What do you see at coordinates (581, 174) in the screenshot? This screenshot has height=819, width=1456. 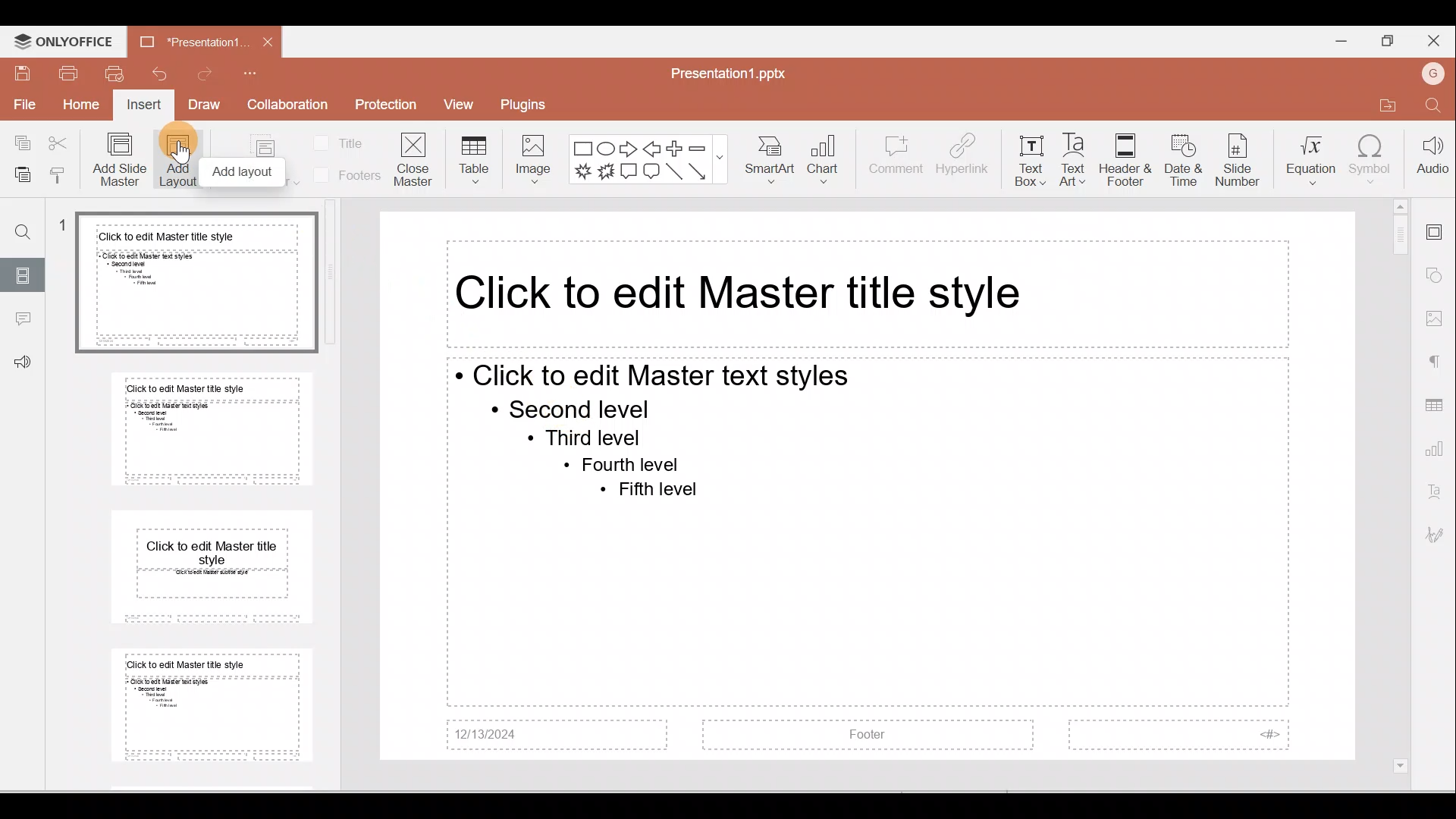 I see `Explosion 1` at bounding box center [581, 174].